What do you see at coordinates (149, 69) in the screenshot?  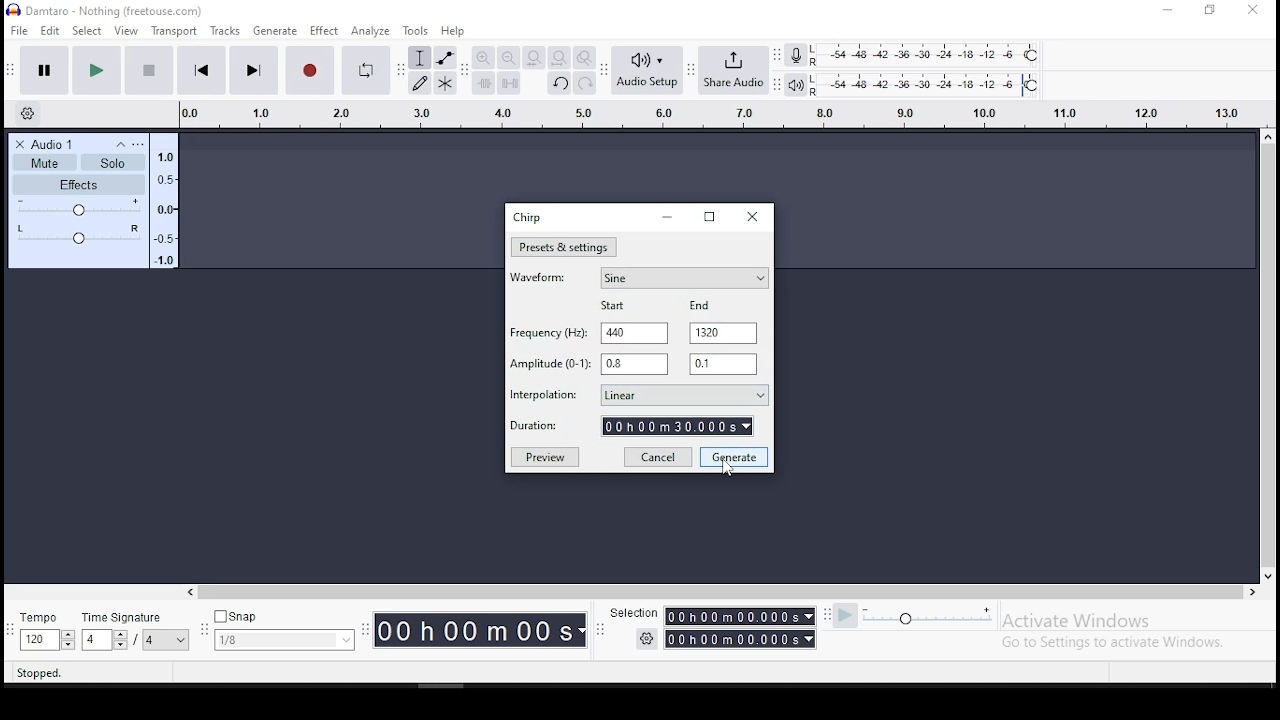 I see `stop` at bounding box center [149, 69].